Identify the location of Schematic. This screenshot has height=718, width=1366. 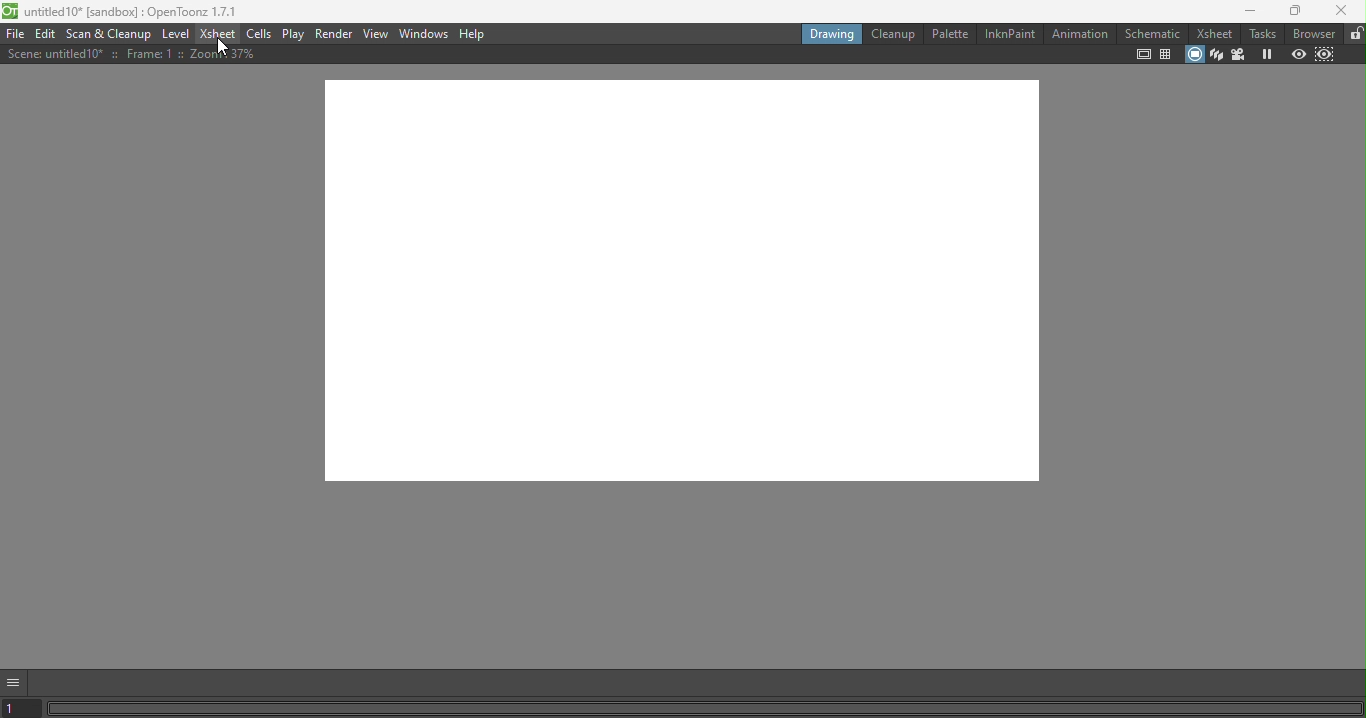
(1152, 34).